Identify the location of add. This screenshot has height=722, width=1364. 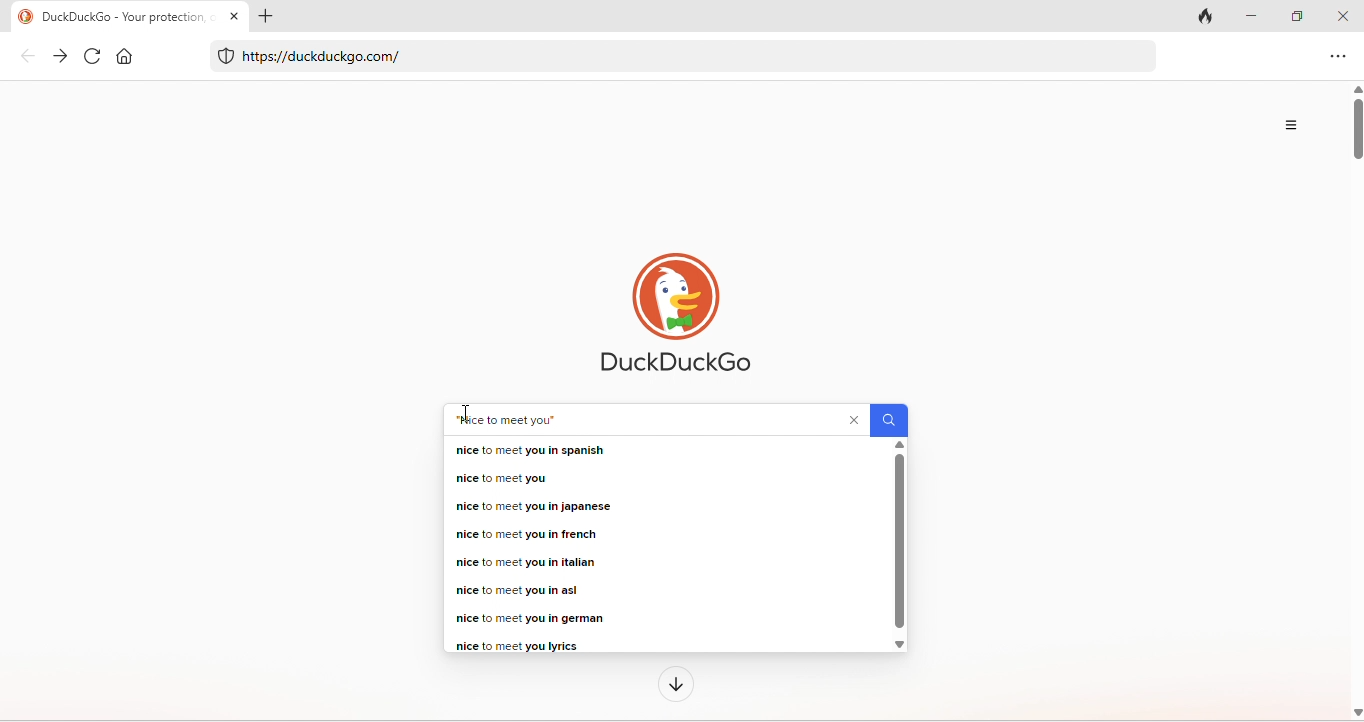
(266, 15).